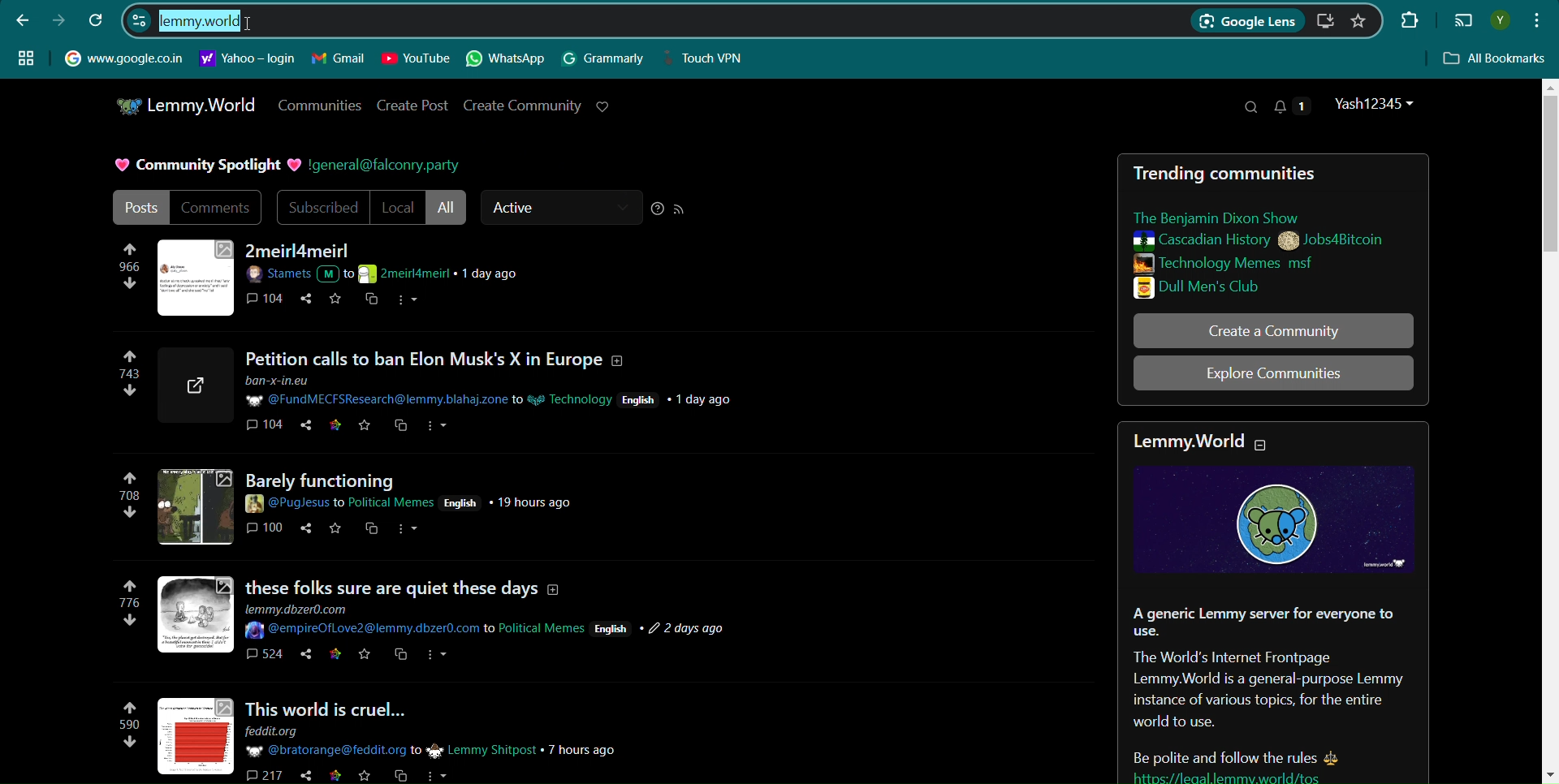 The height and width of the screenshot is (784, 1559). I want to click on A @Puglesus to Political Memes English + 19 hours ago, so click(411, 502).